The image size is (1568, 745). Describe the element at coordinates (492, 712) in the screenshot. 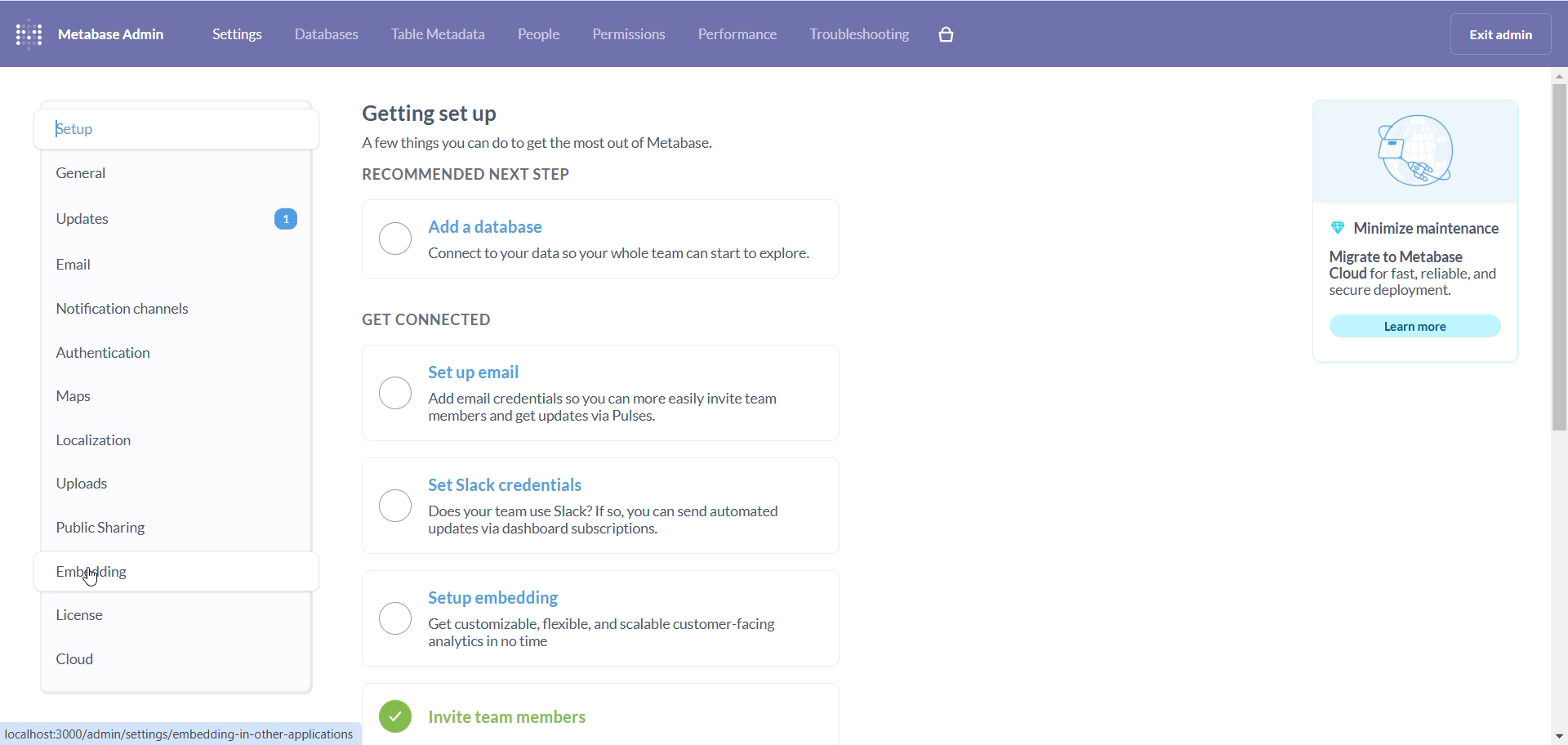

I see `Invite team members` at that location.